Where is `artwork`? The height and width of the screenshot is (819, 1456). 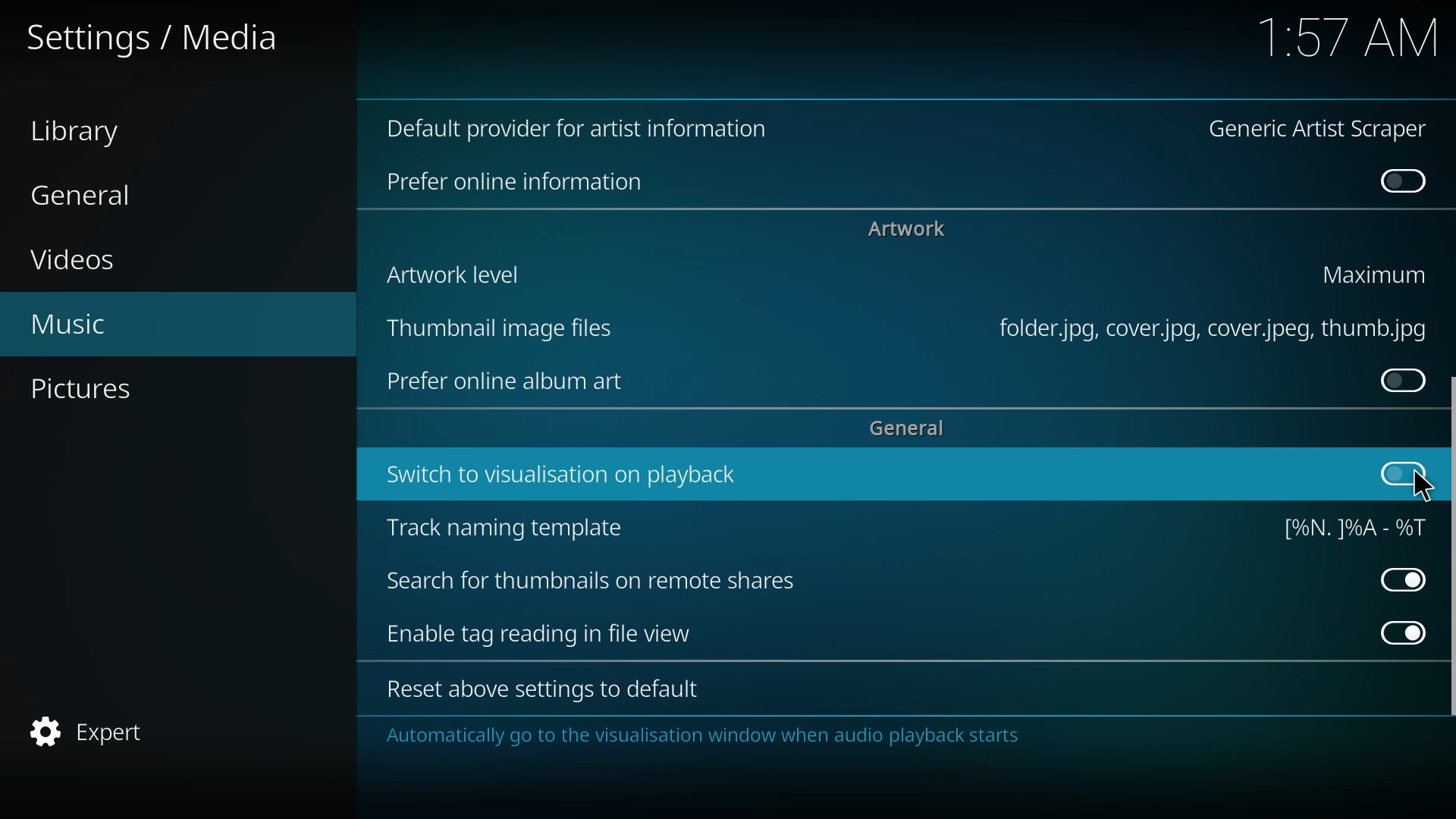
artwork is located at coordinates (905, 229).